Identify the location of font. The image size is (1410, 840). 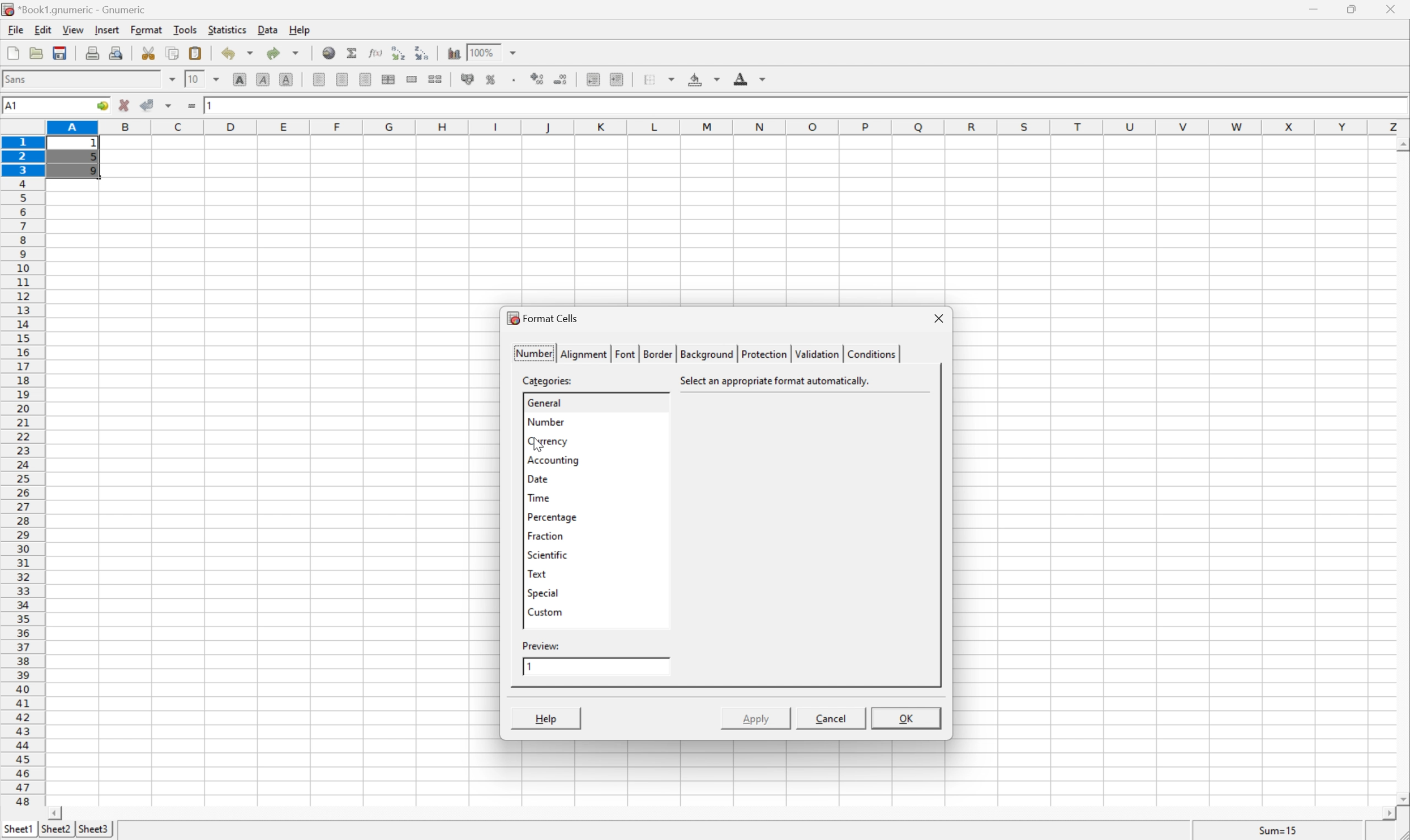
(625, 353).